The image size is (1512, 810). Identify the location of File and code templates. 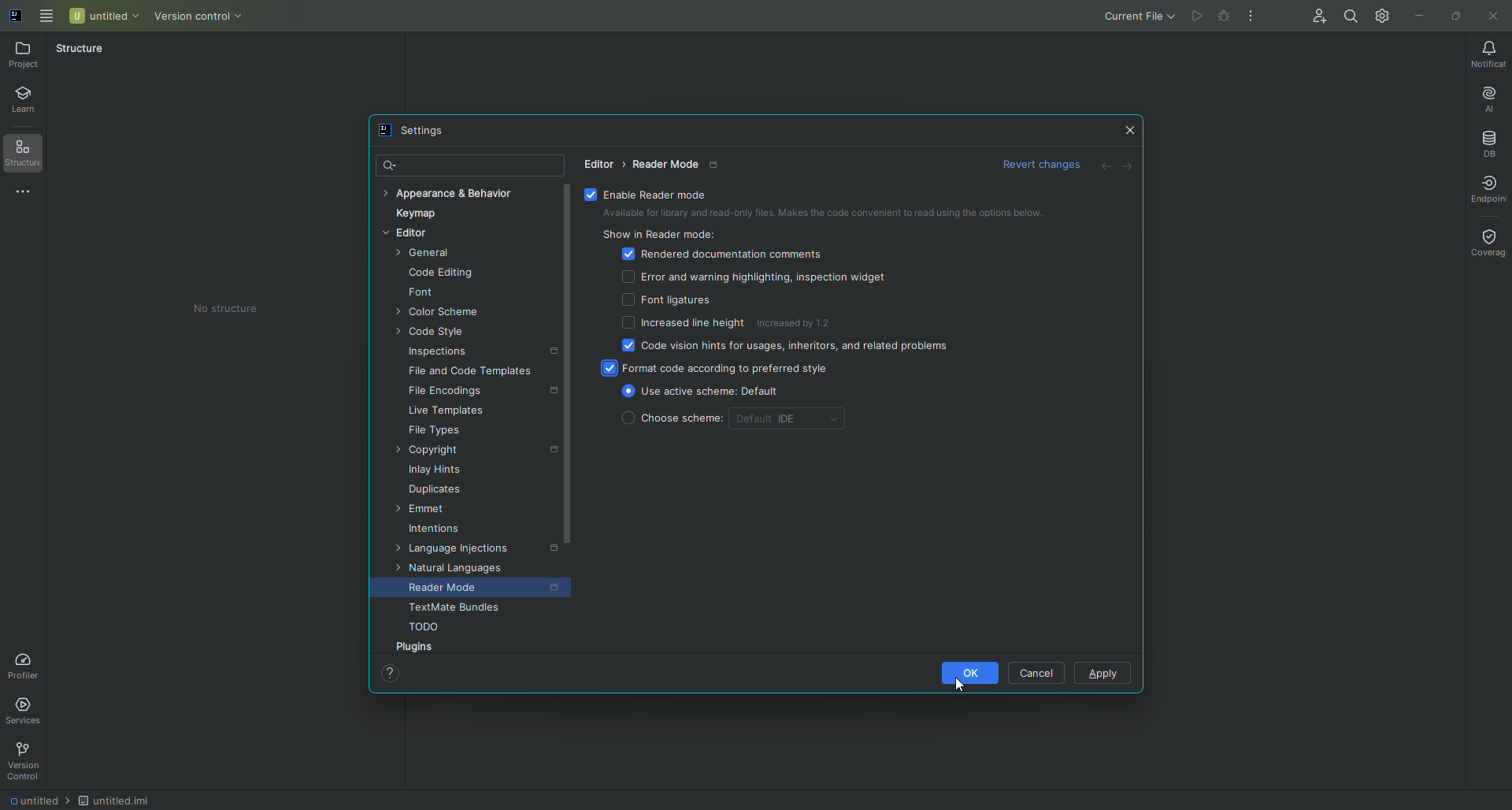
(465, 371).